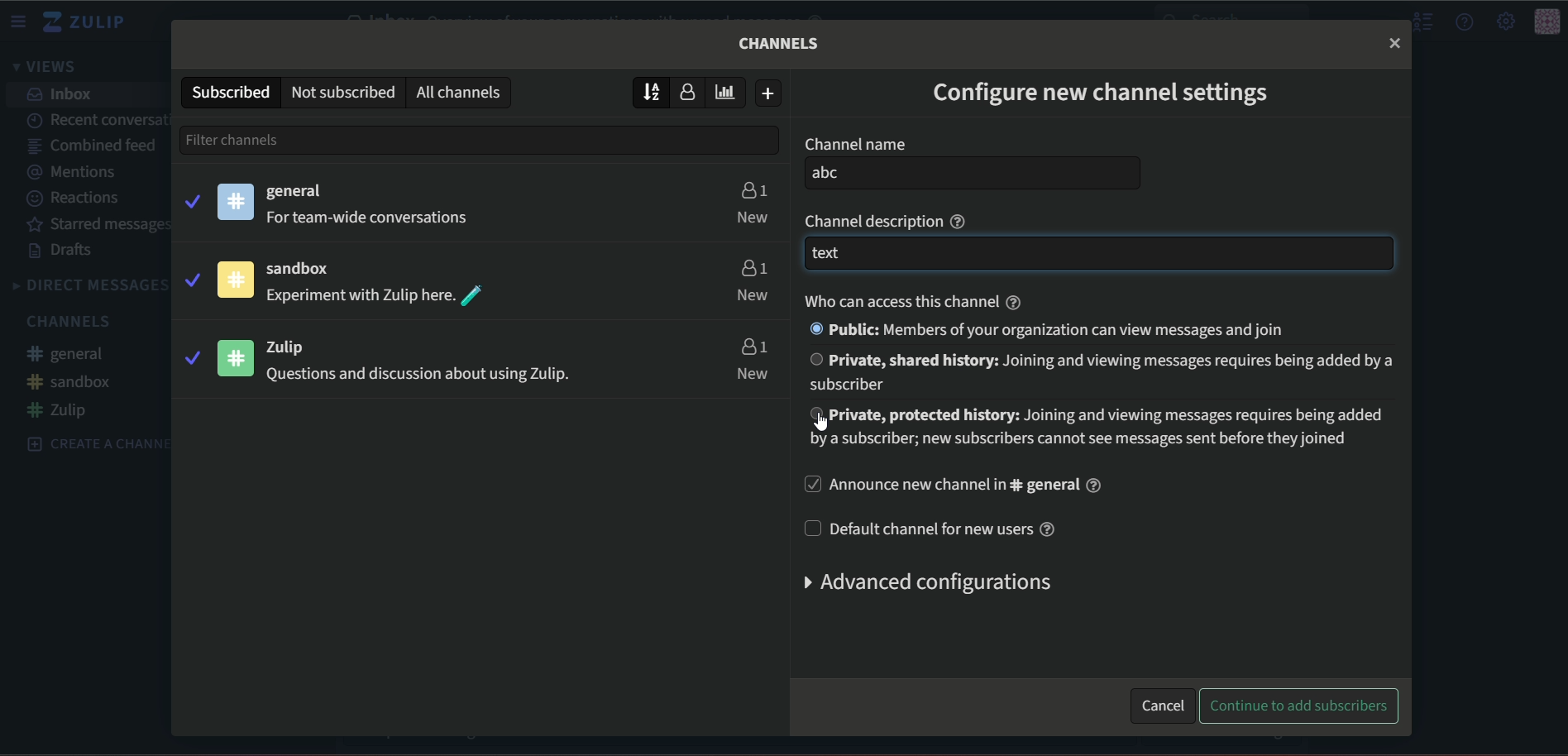 The image size is (1568, 756). Describe the element at coordinates (957, 486) in the screenshot. I see `annunce a new chsnnel in #general` at that location.